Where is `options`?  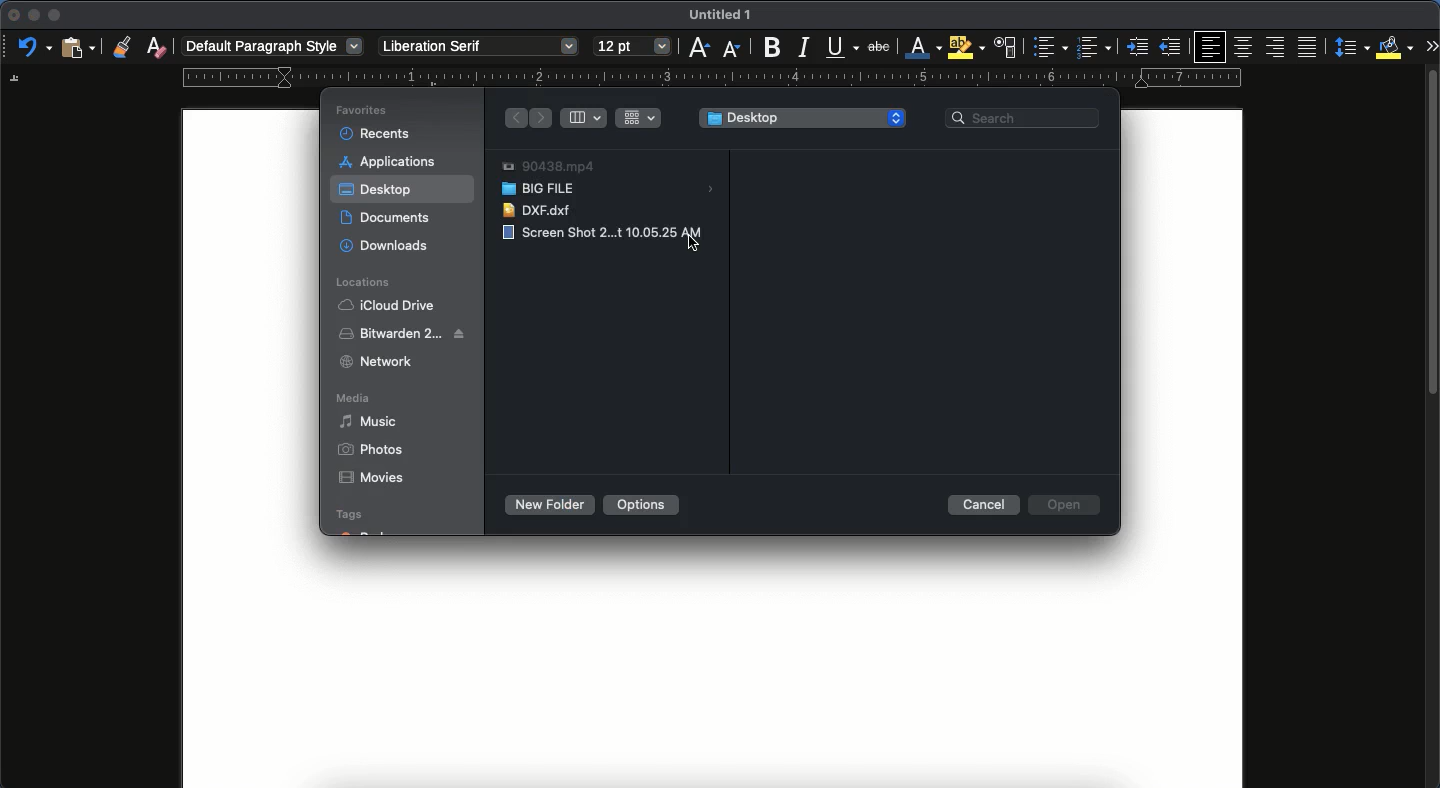 options is located at coordinates (640, 504).